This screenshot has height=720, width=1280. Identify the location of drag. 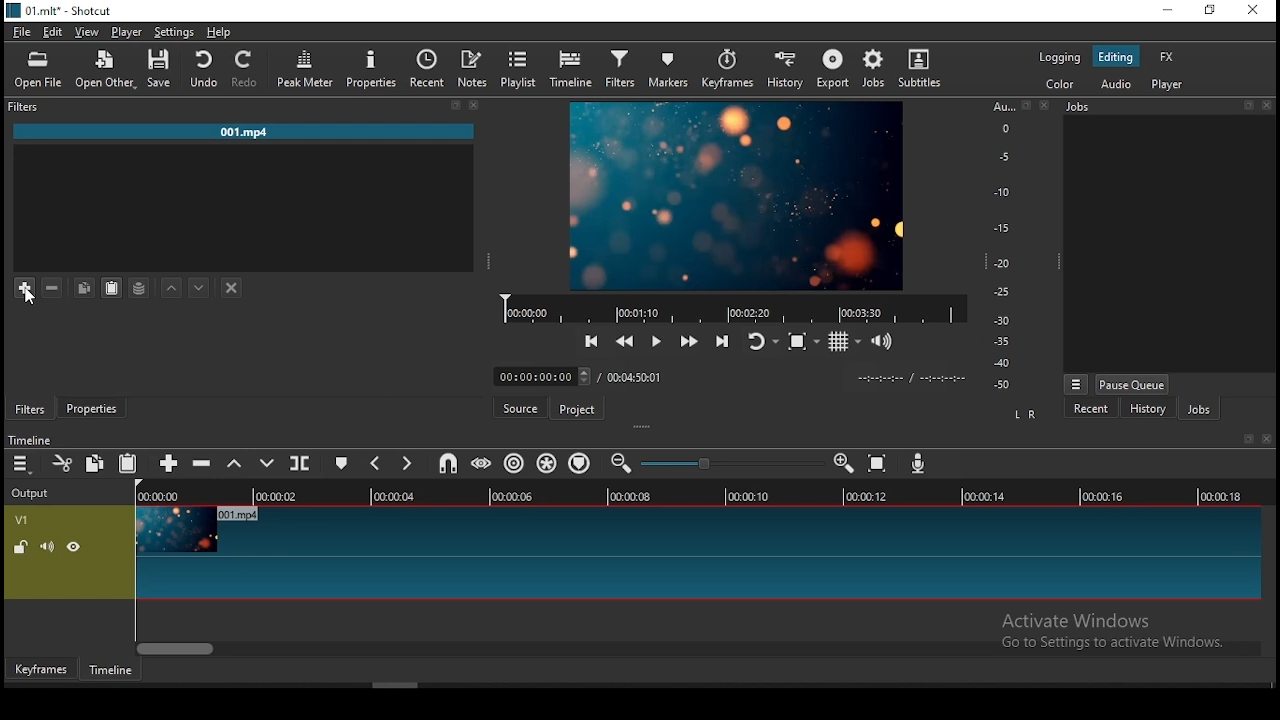
(493, 261).